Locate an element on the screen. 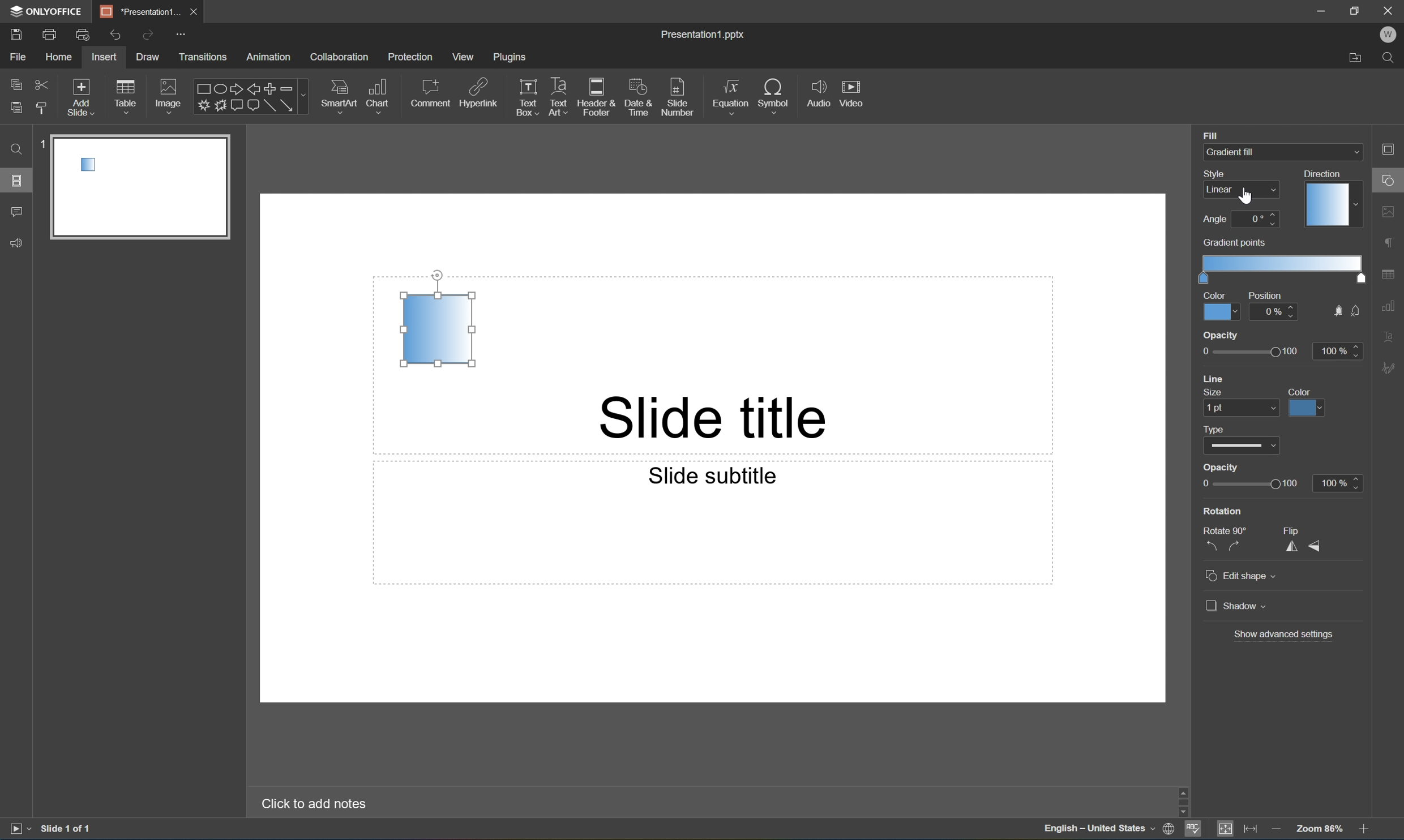 The height and width of the screenshot is (840, 1404). Close is located at coordinates (1392, 10).